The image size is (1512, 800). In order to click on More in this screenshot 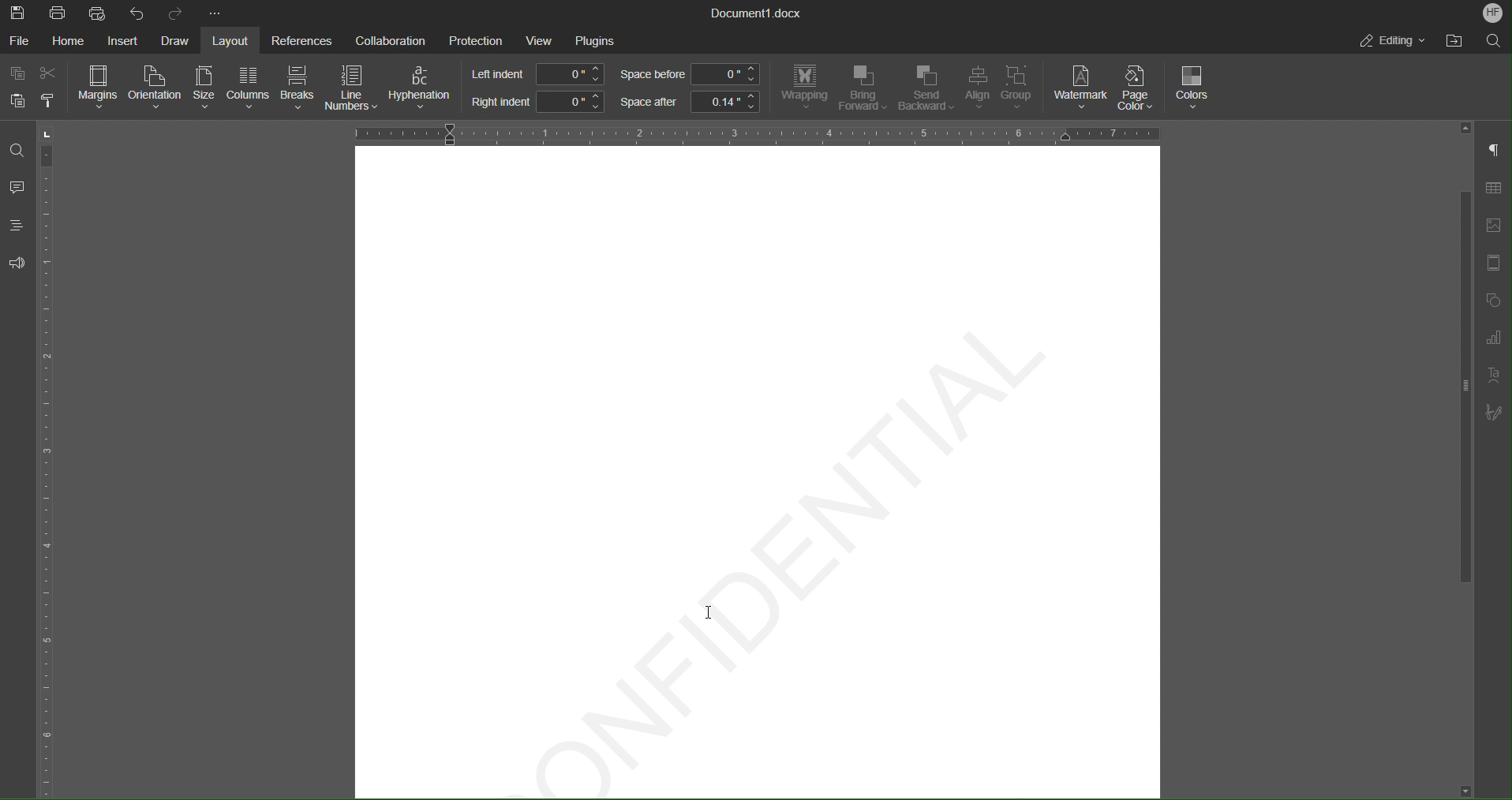, I will do `click(217, 14)`.